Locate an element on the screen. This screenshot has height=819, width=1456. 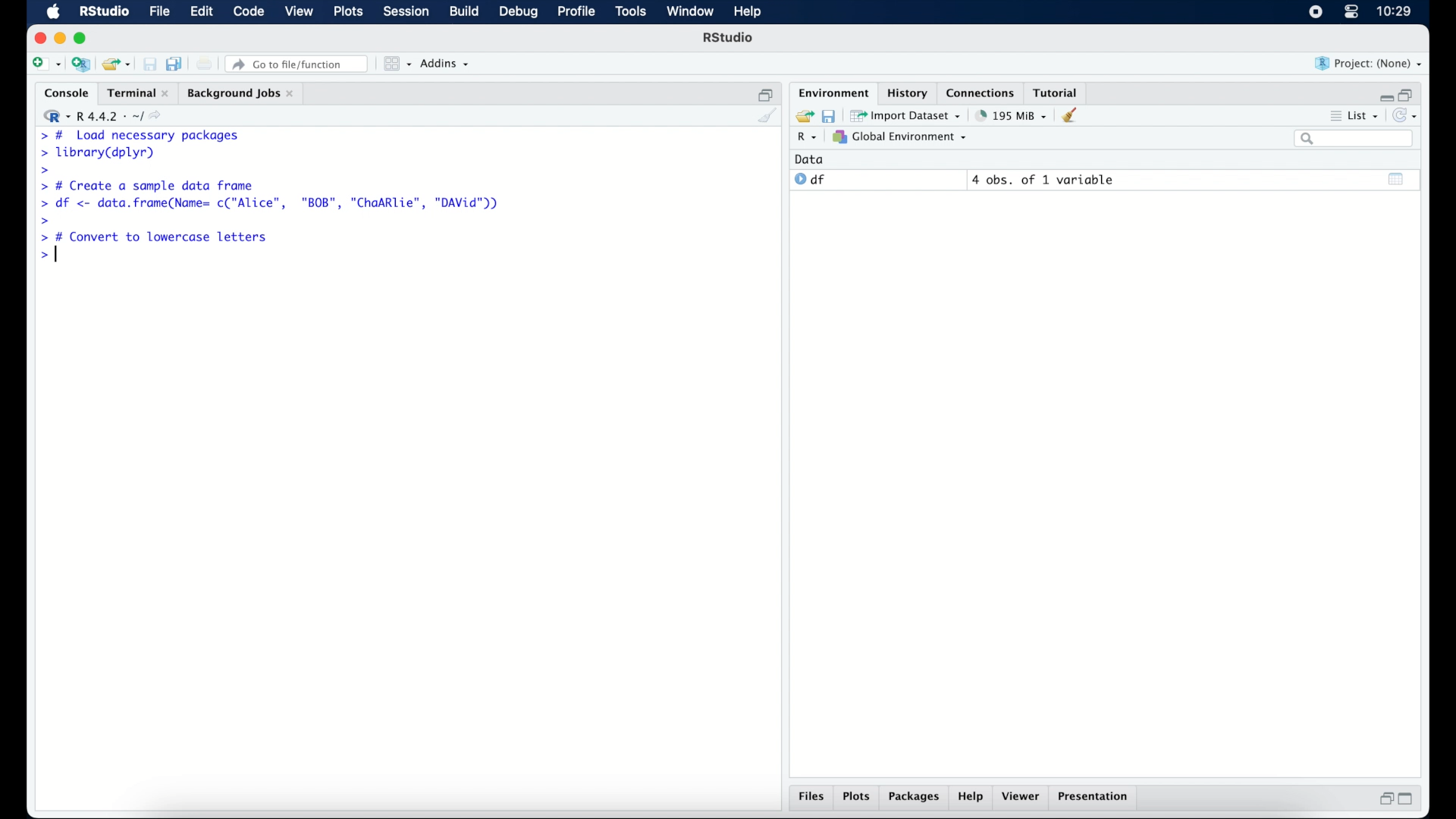
> library(dplyr)| is located at coordinates (101, 153).